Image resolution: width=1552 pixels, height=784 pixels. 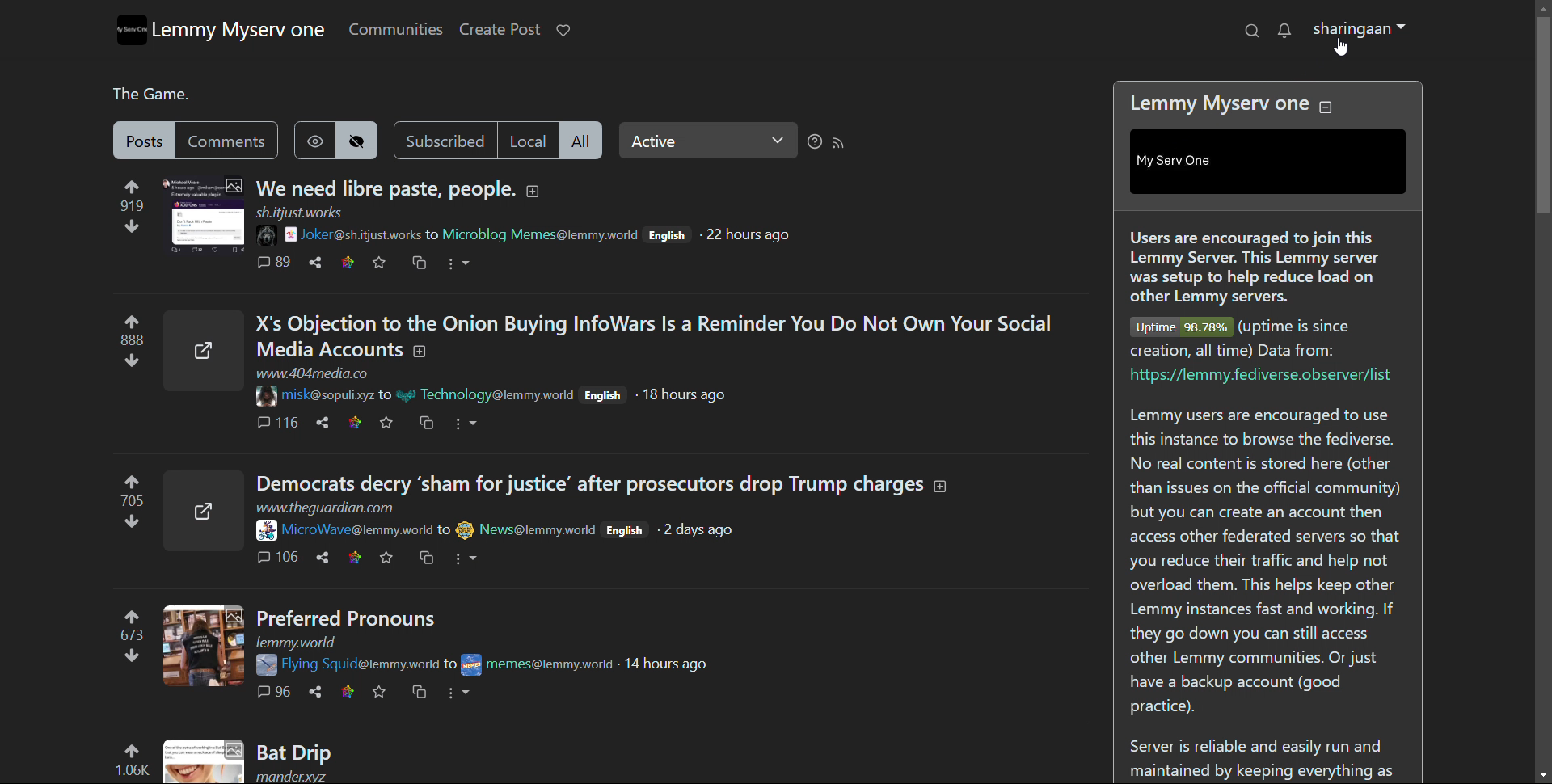 What do you see at coordinates (1253, 30) in the screenshot?
I see `search` at bounding box center [1253, 30].